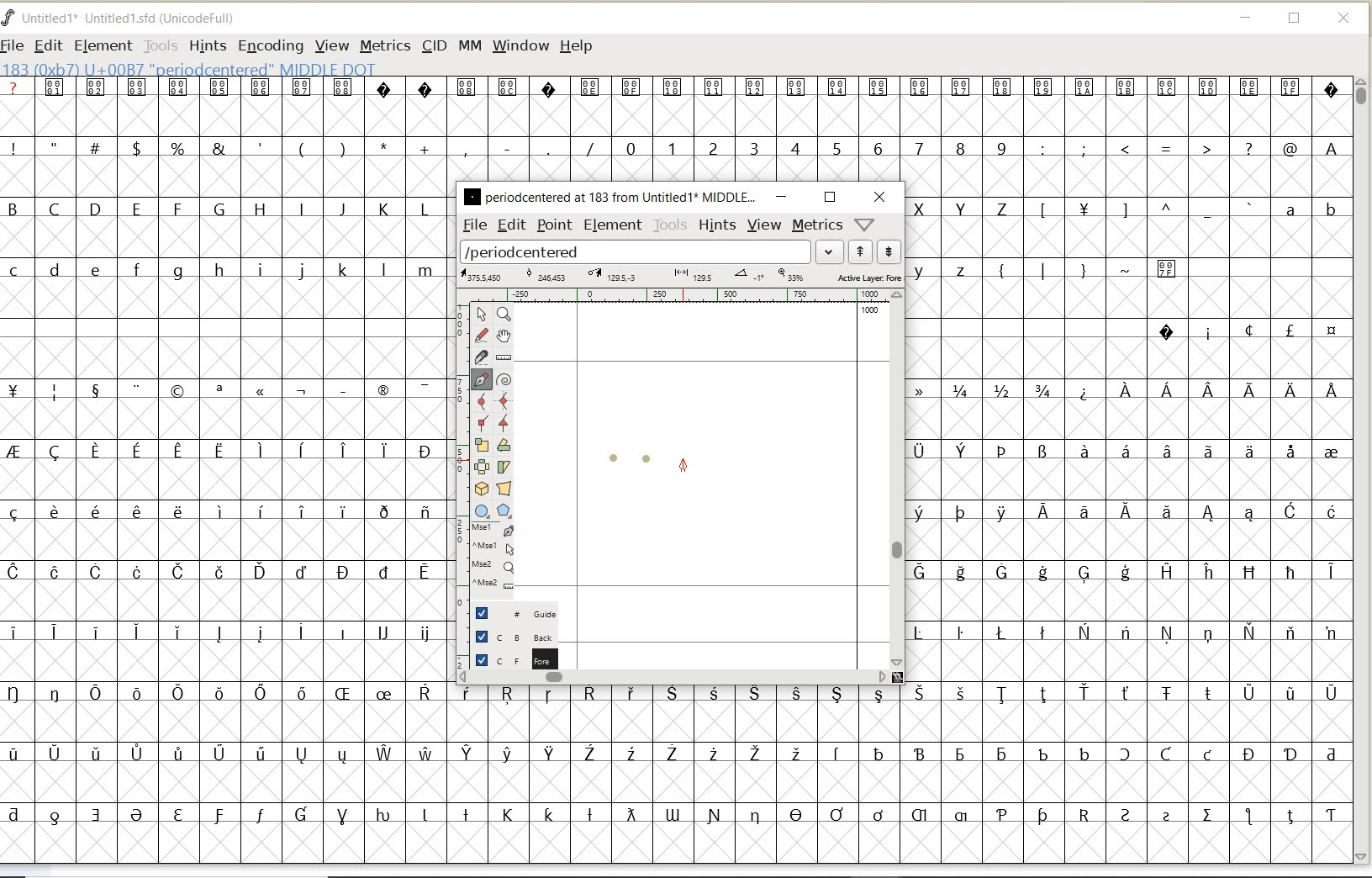 This screenshot has width=1372, height=878. Describe the element at coordinates (103, 45) in the screenshot. I see `ELEMENT` at that location.